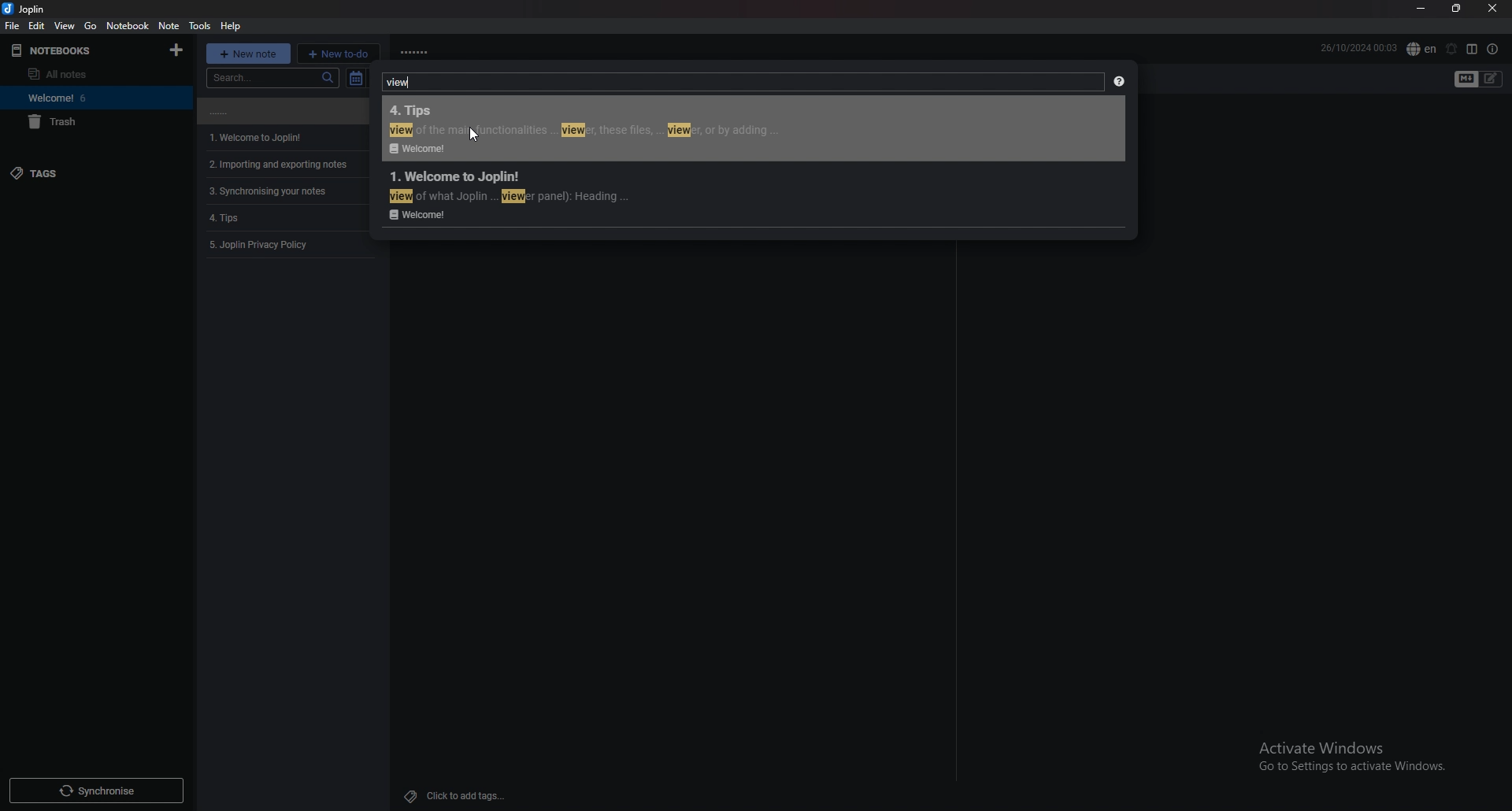  Describe the element at coordinates (36, 24) in the screenshot. I see `edit` at that location.